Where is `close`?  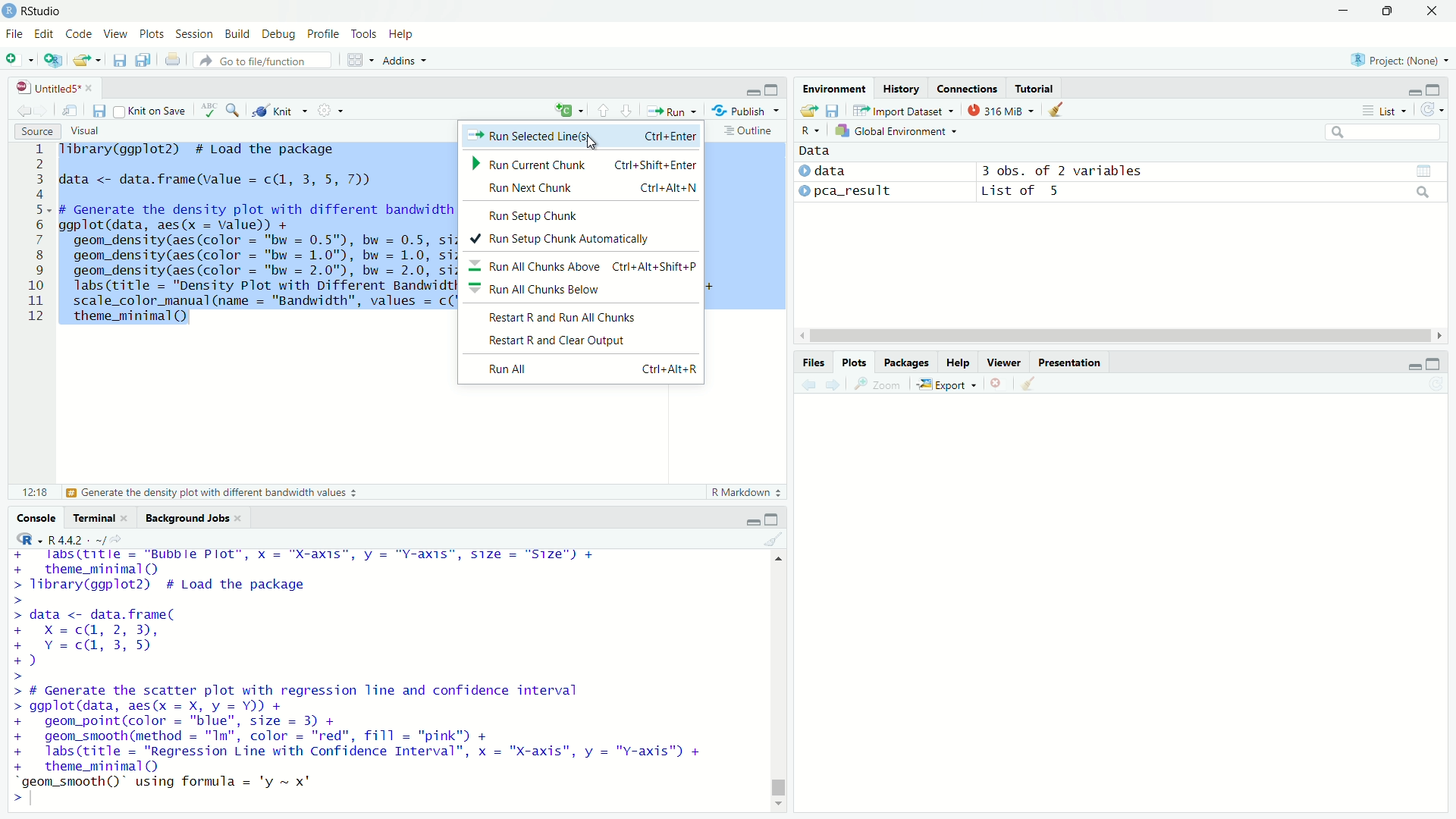
close is located at coordinates (124, 518).